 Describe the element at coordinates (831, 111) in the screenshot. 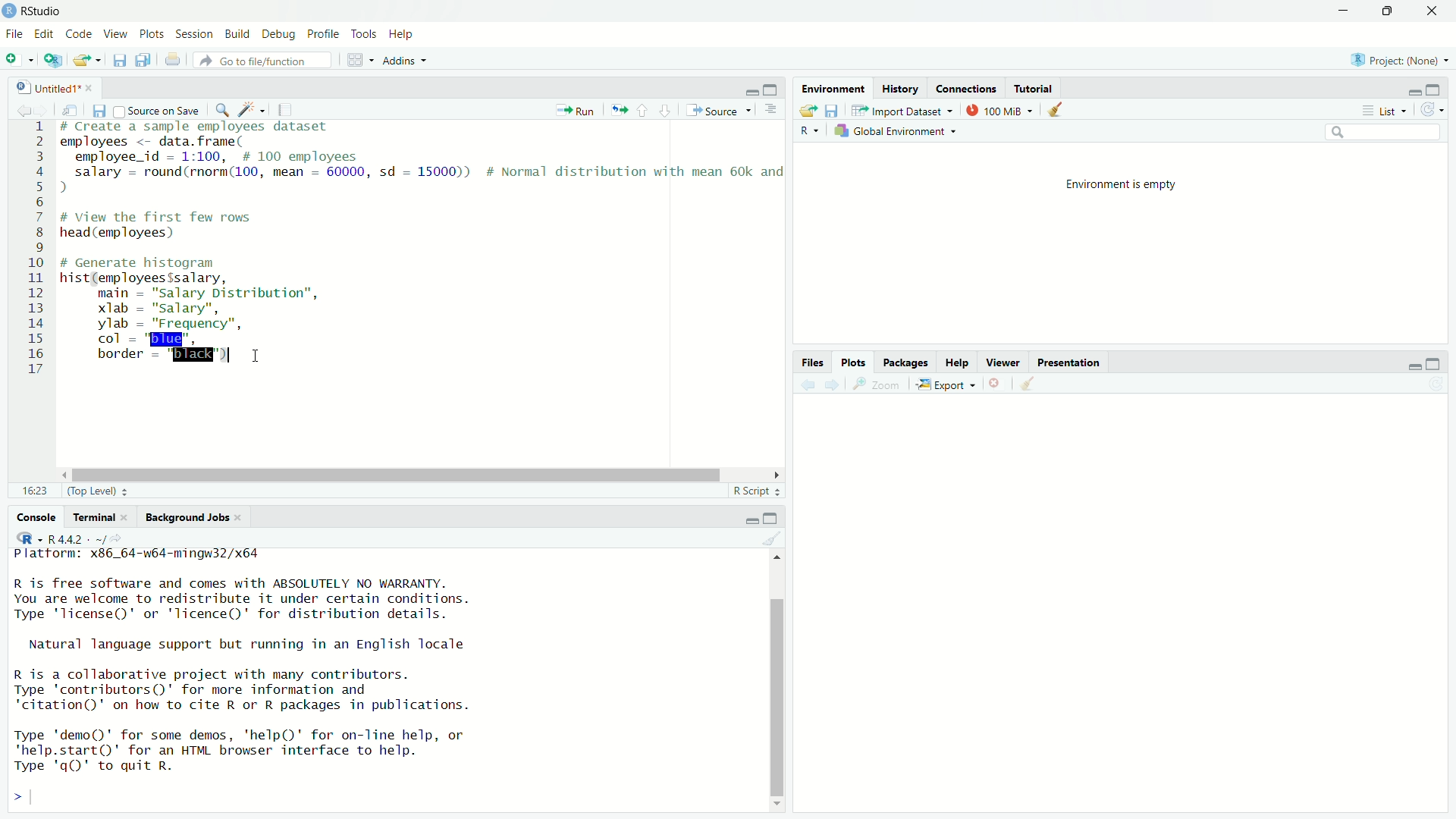

I see `save` at that location.